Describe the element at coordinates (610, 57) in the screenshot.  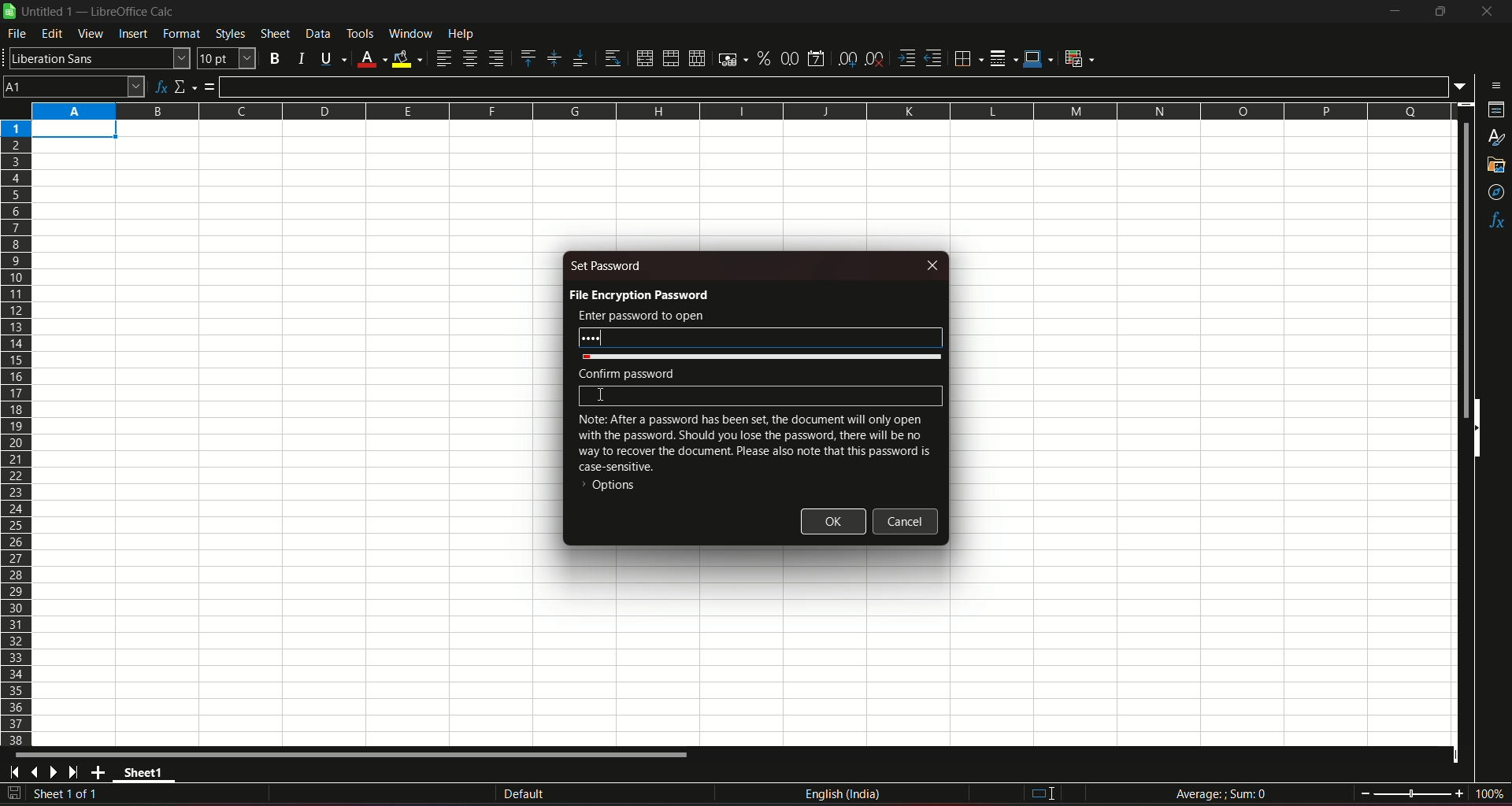
I see `wrap text` at that location.